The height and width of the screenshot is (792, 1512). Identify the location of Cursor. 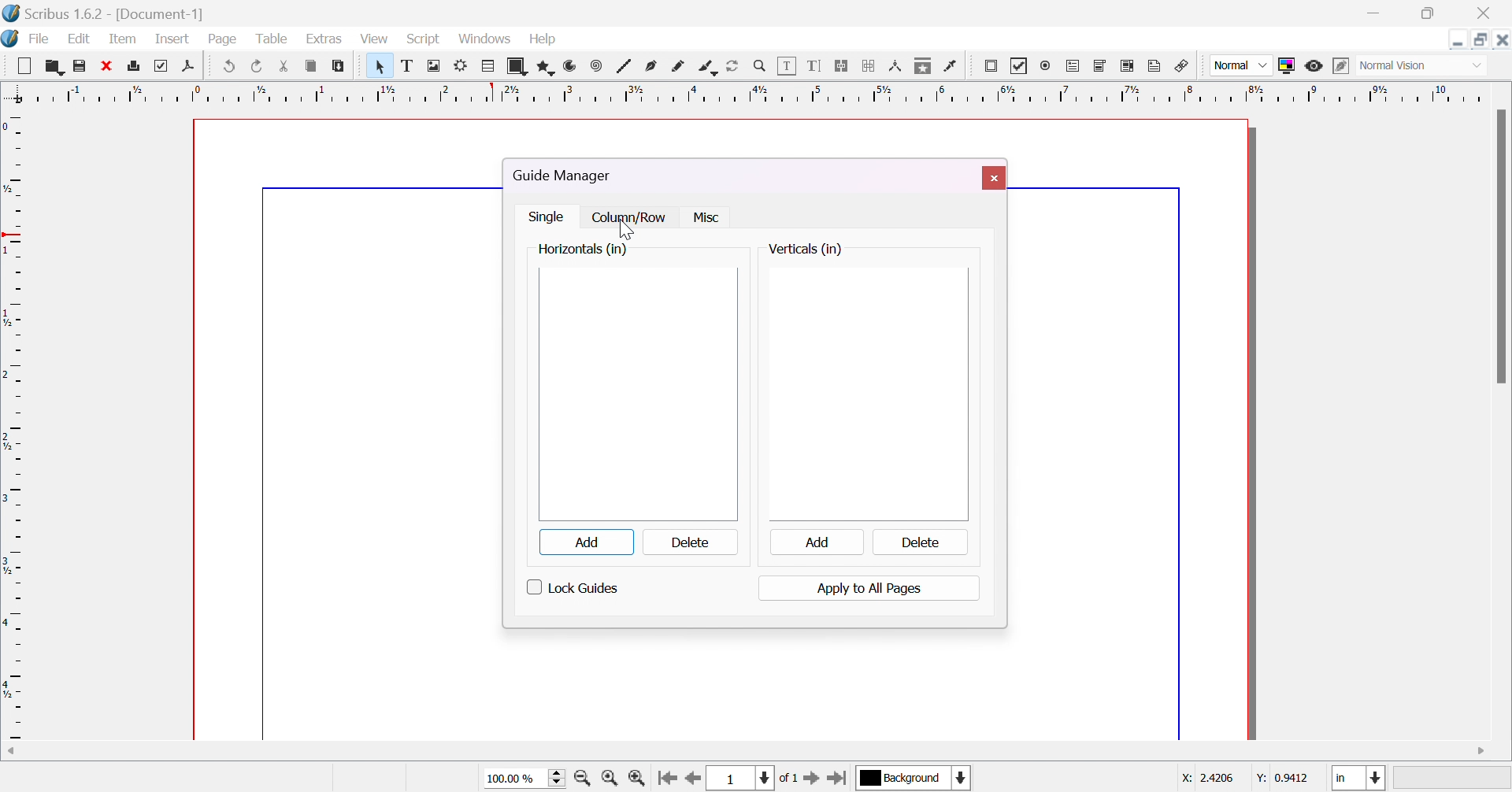
(628, 231).